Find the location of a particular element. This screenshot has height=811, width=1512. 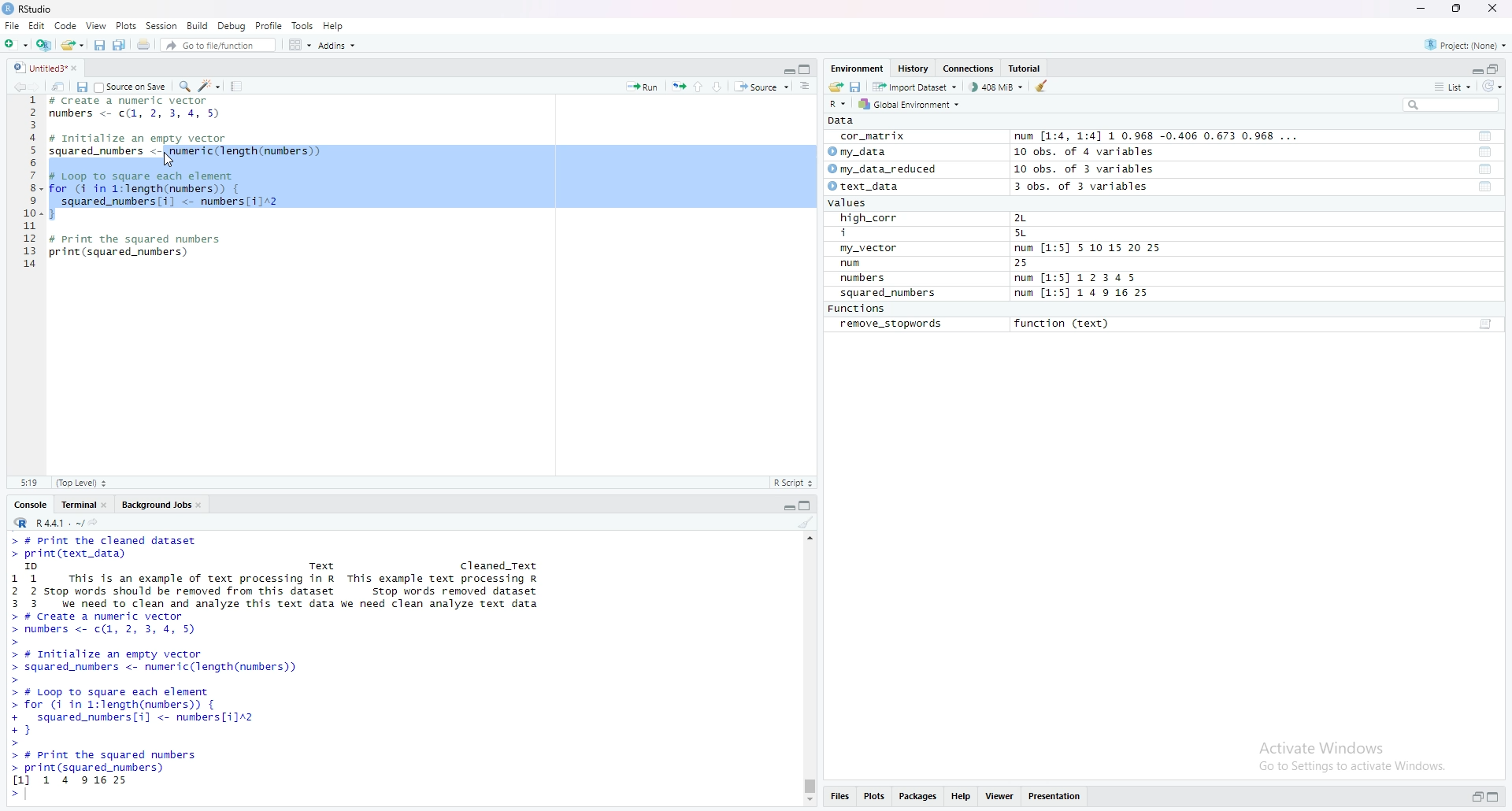

my_vector is located at coordinates (870, 249).